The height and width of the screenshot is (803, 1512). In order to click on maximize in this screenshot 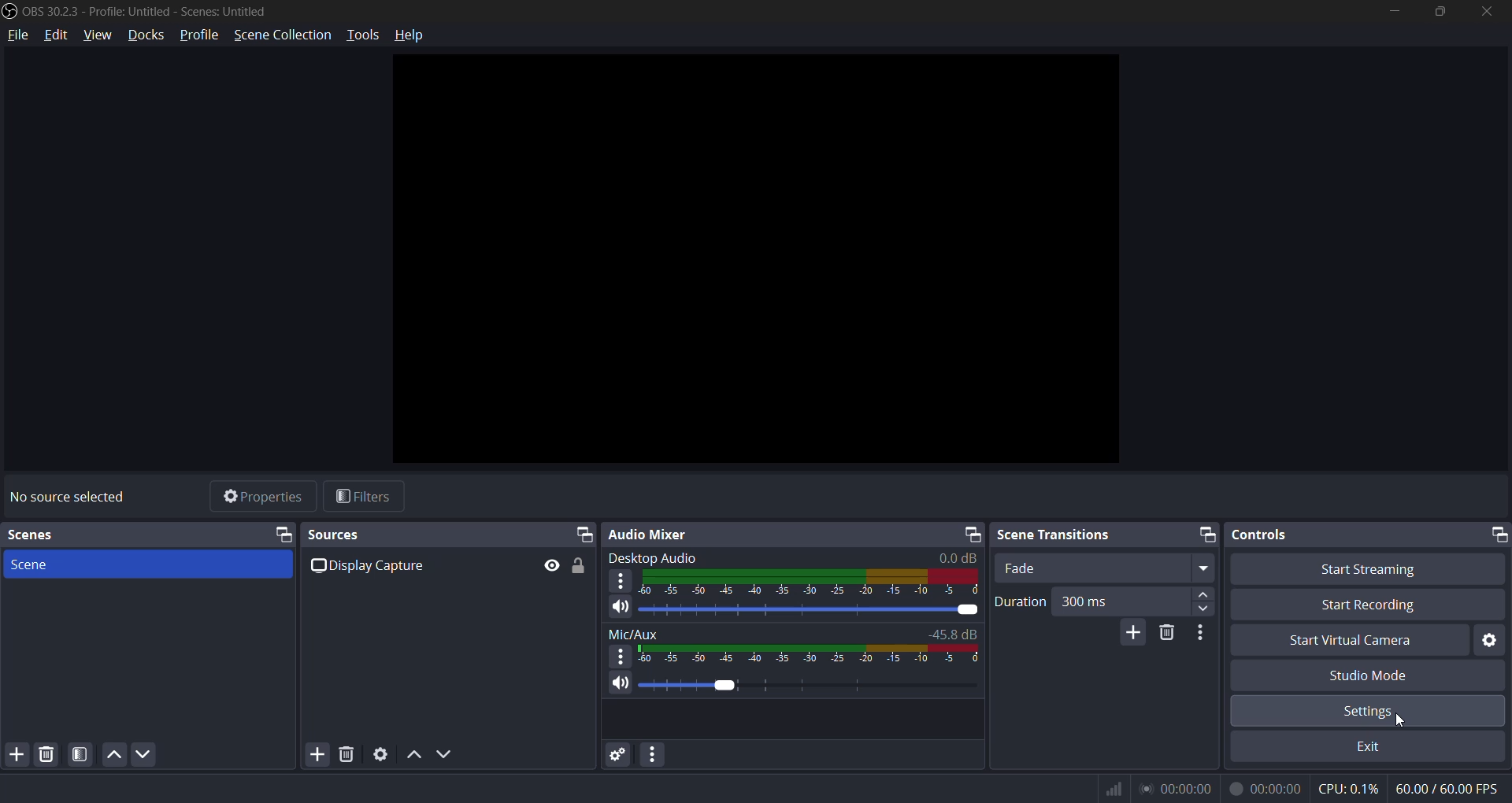, I will do `click(1440, 12)`.